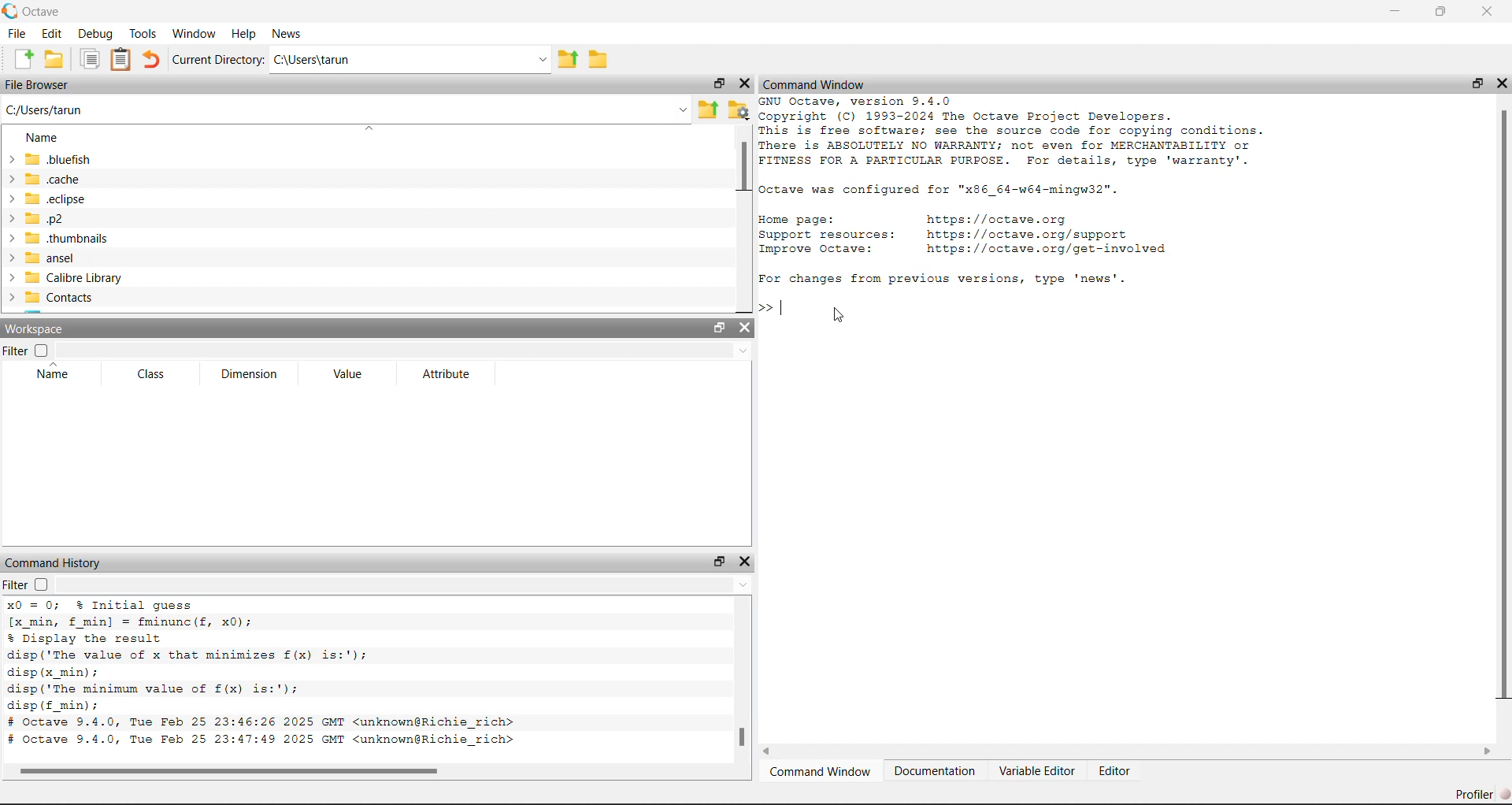 This screenshot has height=805, width=1512. What do you see at coordinates (601, 58) in the screenshot?
I see `Browse directories` at bounding box center [601, 58].